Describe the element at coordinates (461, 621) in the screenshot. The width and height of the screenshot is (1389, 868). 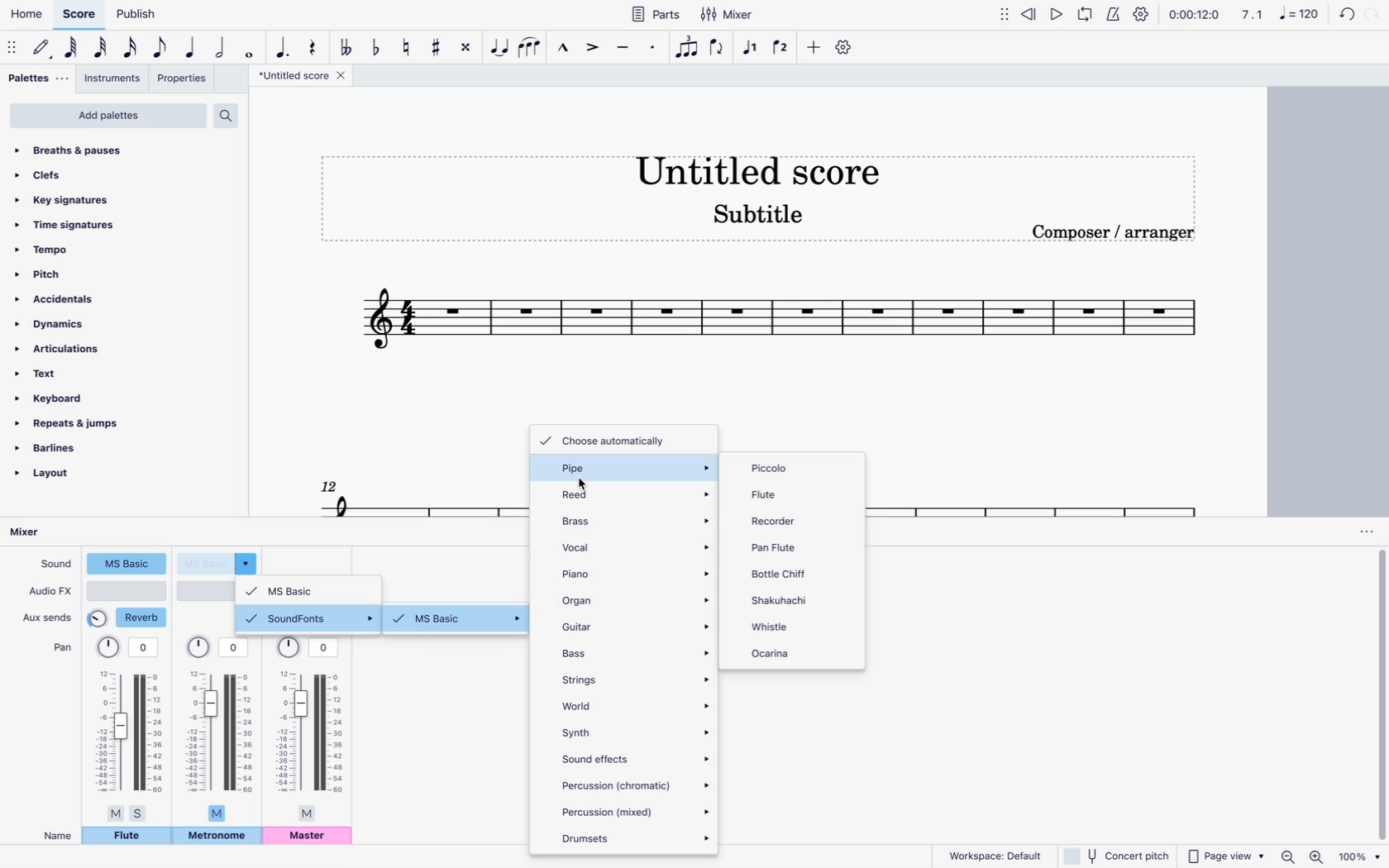
I see `ms basic` at that location.